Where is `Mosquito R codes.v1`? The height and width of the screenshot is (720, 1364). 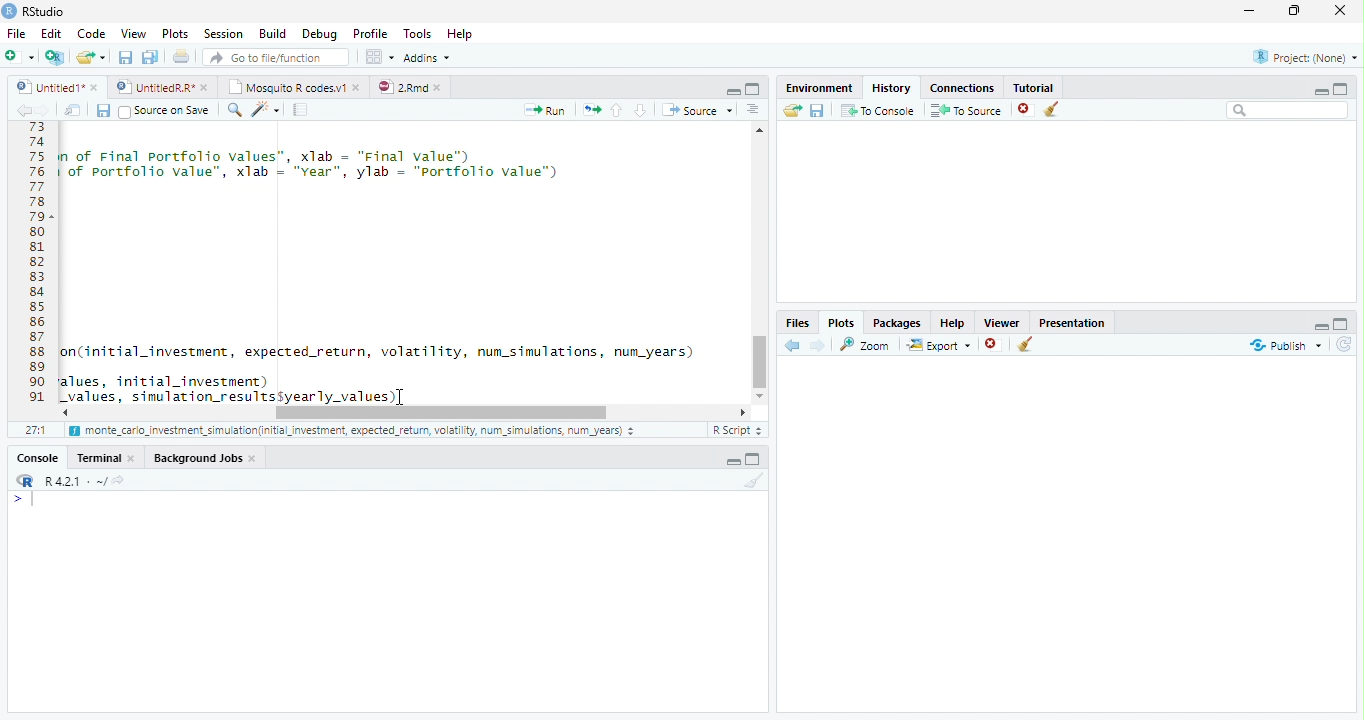 Mosquito R codes.v1 is located at coordinates (292, 86).